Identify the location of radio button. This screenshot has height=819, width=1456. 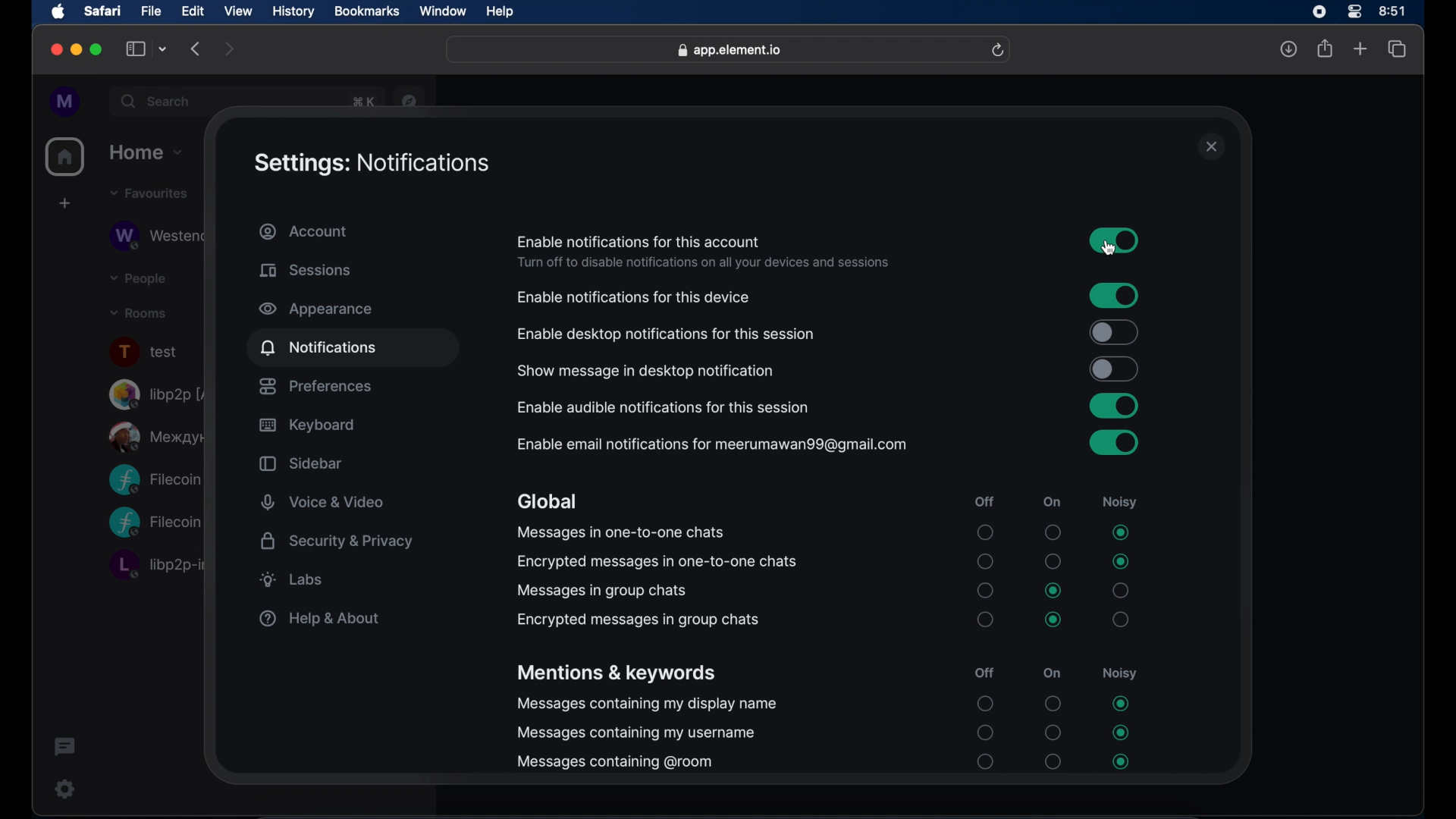
(1121, 620).